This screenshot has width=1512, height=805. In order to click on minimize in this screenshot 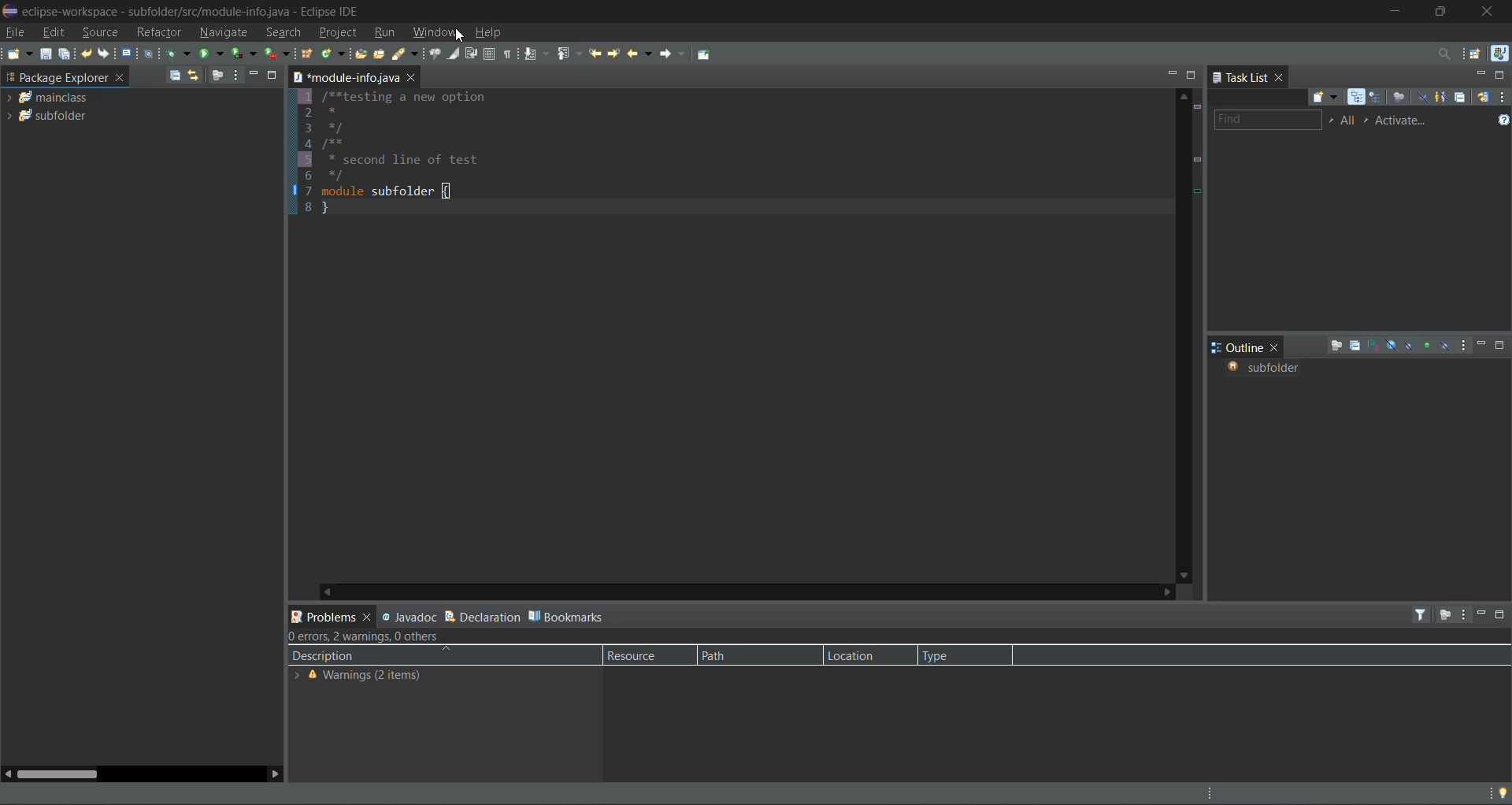, I will do `click(1482, 347)`.